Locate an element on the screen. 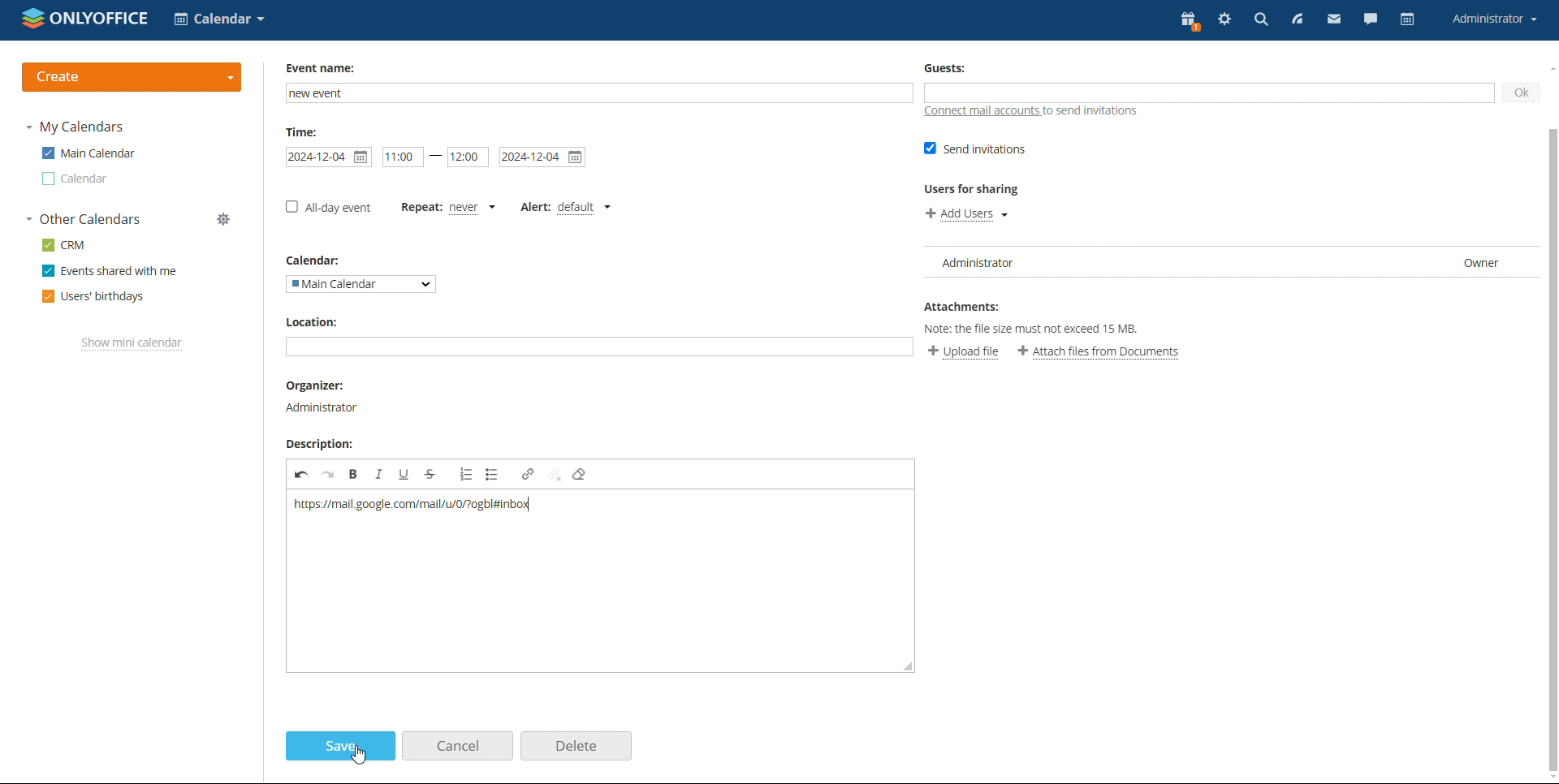  delete is located at coordinates (577, 746).